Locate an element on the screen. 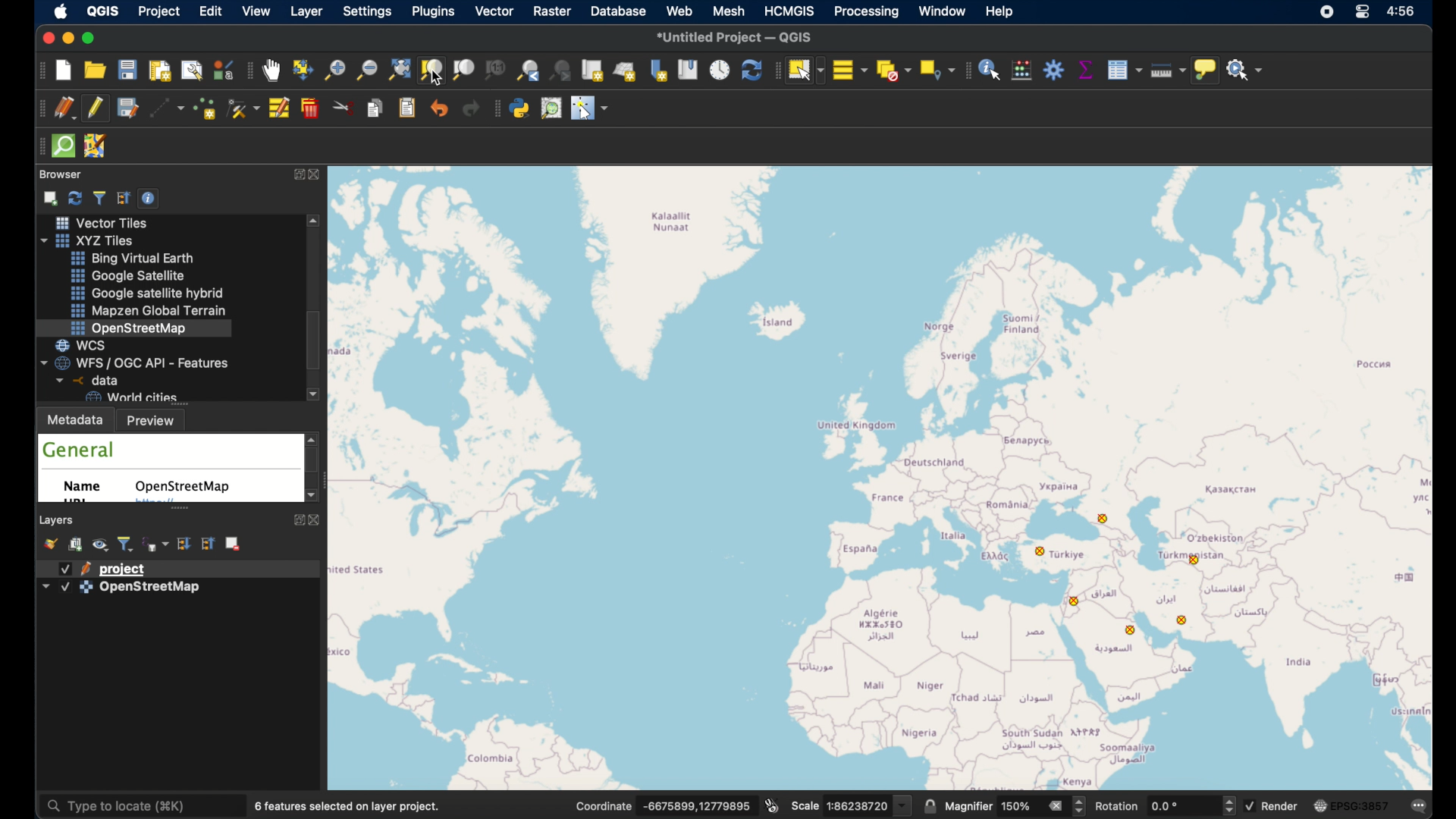 This screenshot has height=819, width=1456. digitize with segment is located at coordinates (169, 110).